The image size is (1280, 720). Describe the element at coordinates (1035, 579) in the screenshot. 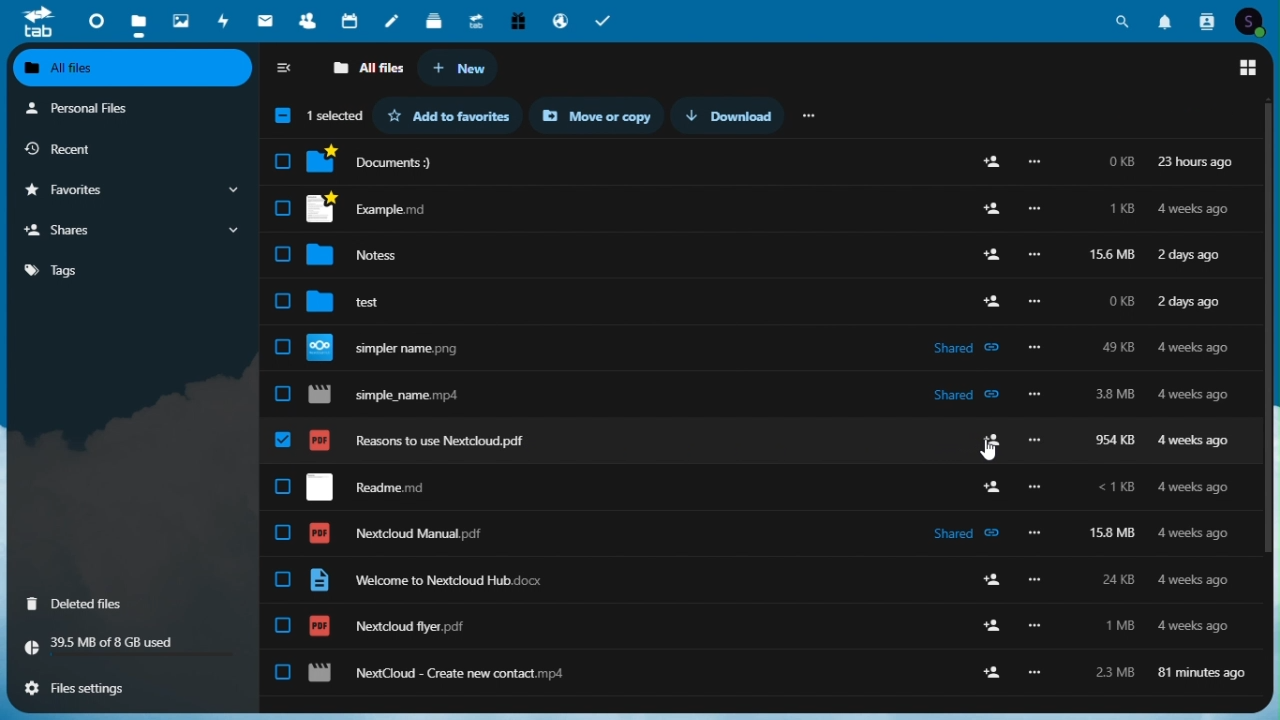

I see `more options` at that location.